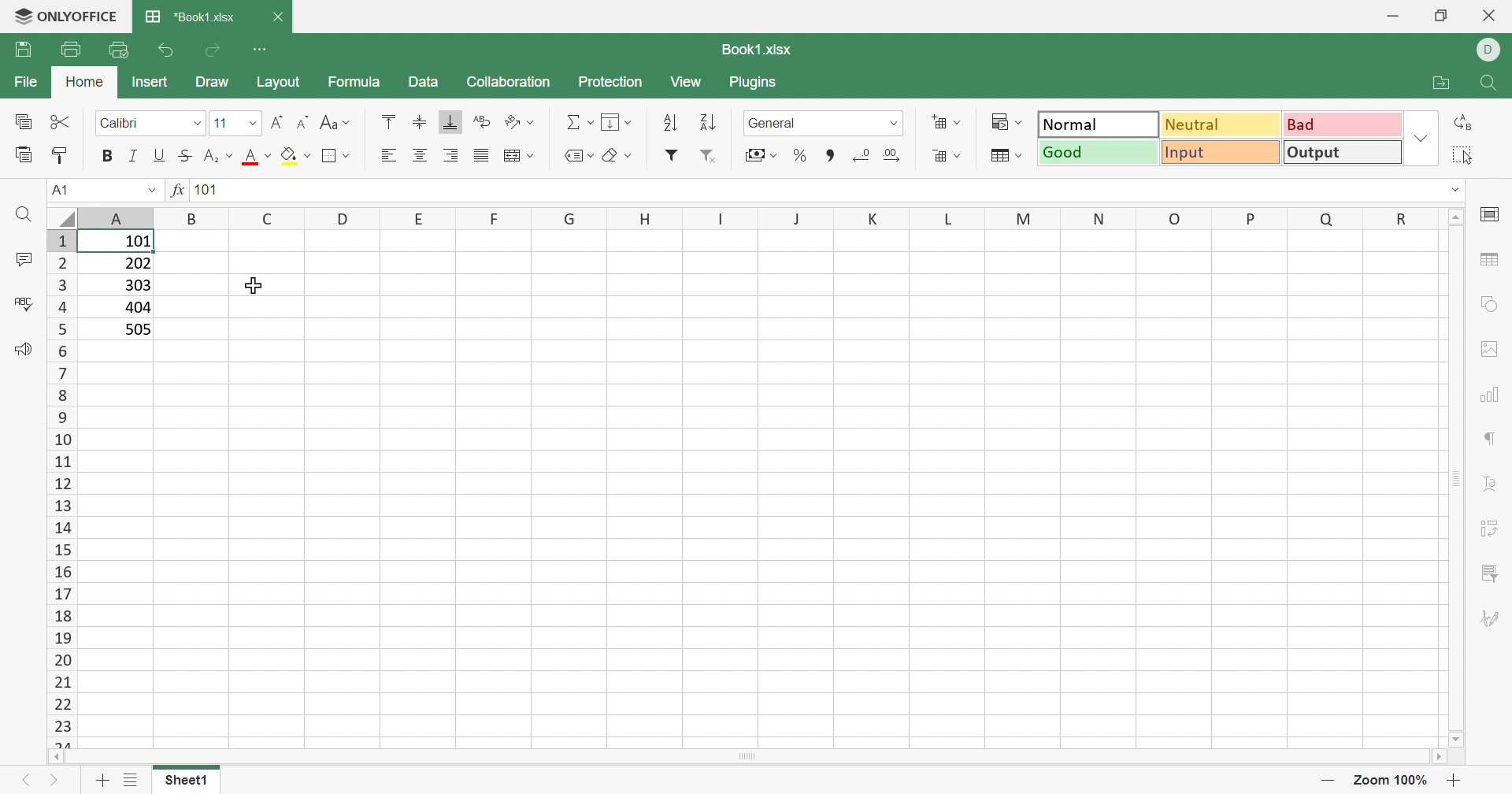 The image size is (1512, 794). I want to click on 11, so click(220, 123).